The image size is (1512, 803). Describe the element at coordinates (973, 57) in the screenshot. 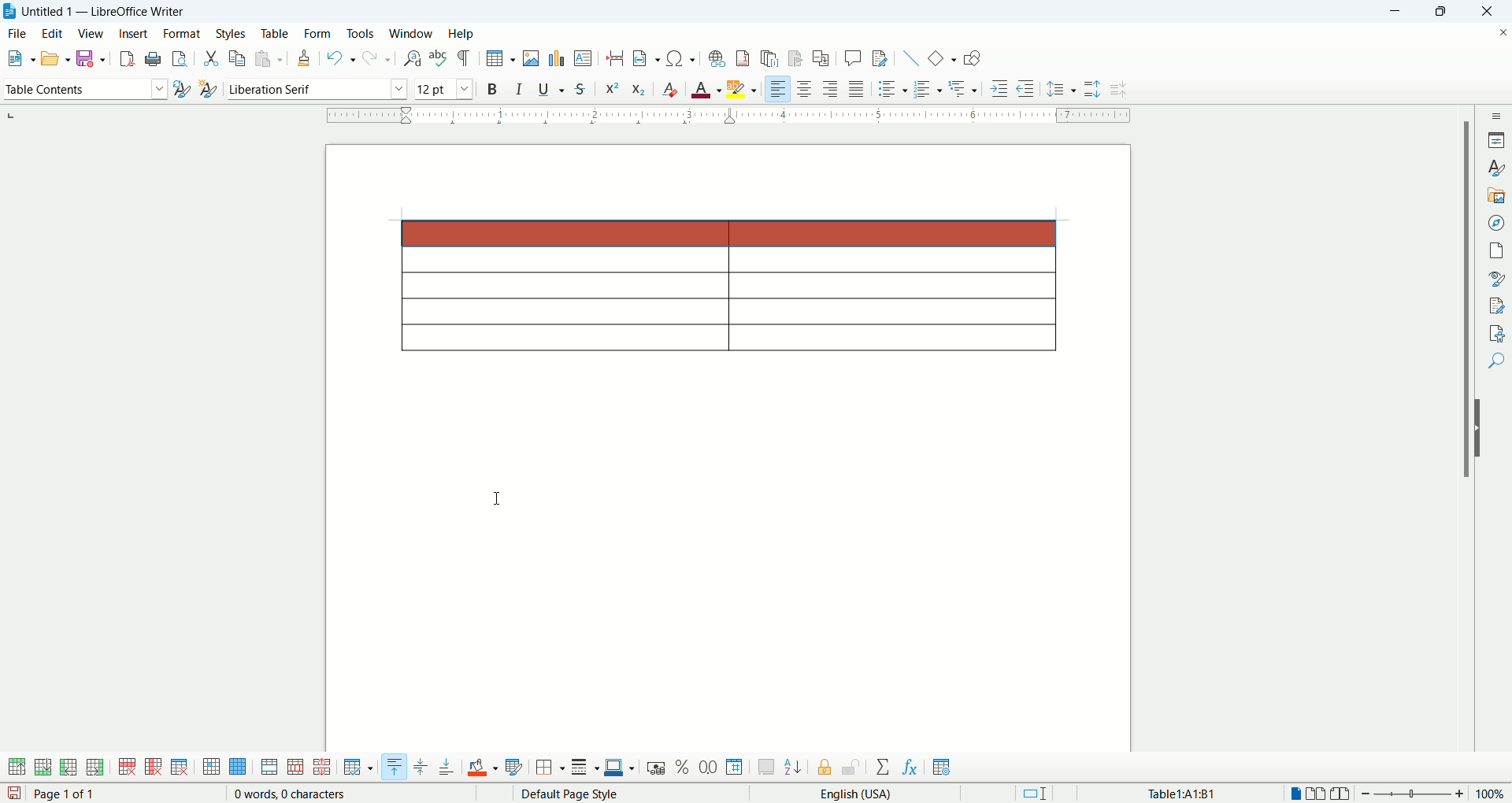

I see `show draw functions` at that location.